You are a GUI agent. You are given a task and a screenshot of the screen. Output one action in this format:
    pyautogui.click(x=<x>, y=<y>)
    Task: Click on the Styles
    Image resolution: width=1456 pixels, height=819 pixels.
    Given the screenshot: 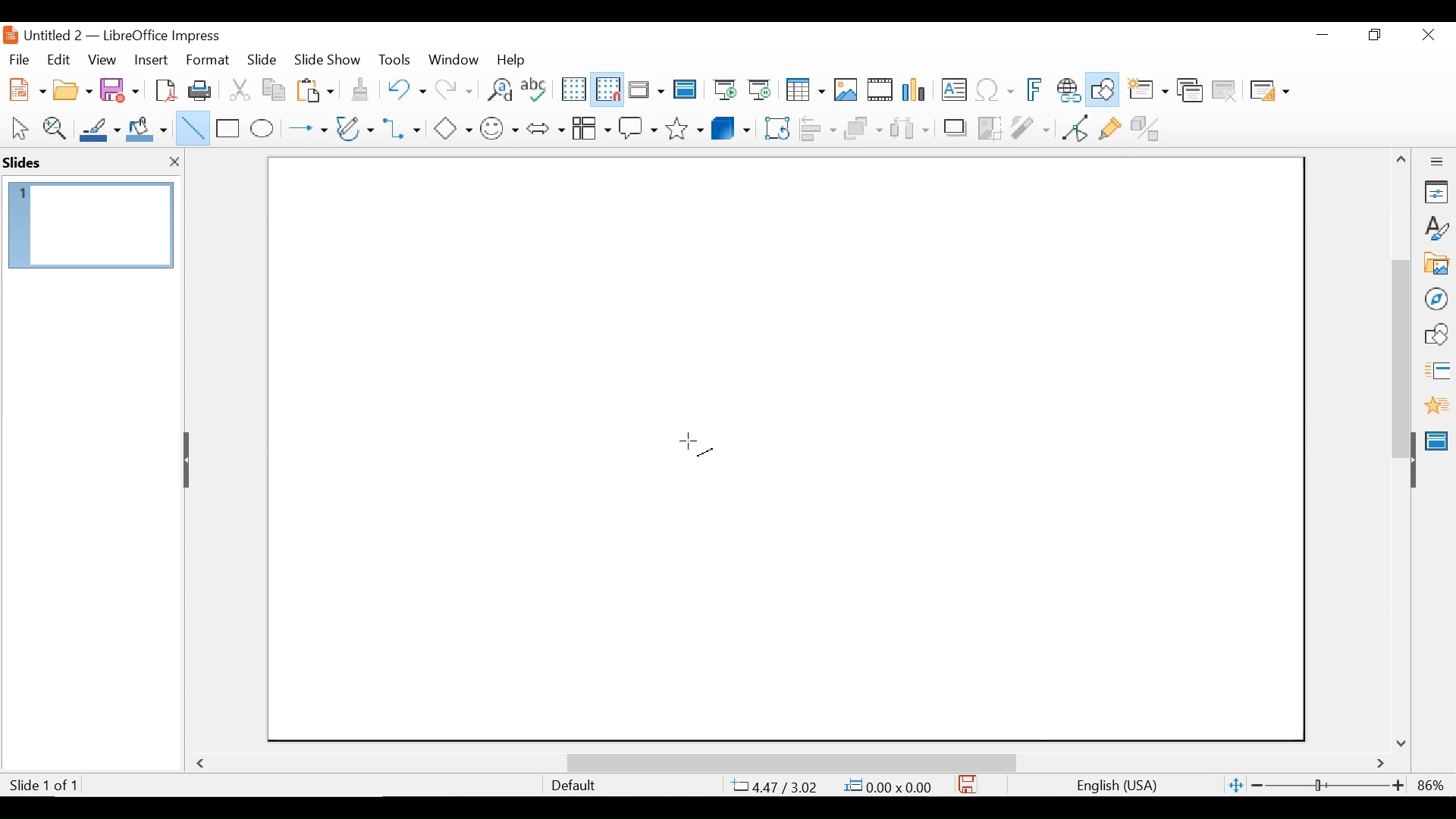 What is the action you would take?
    pyautogui.click(x=1437, y=229)
    